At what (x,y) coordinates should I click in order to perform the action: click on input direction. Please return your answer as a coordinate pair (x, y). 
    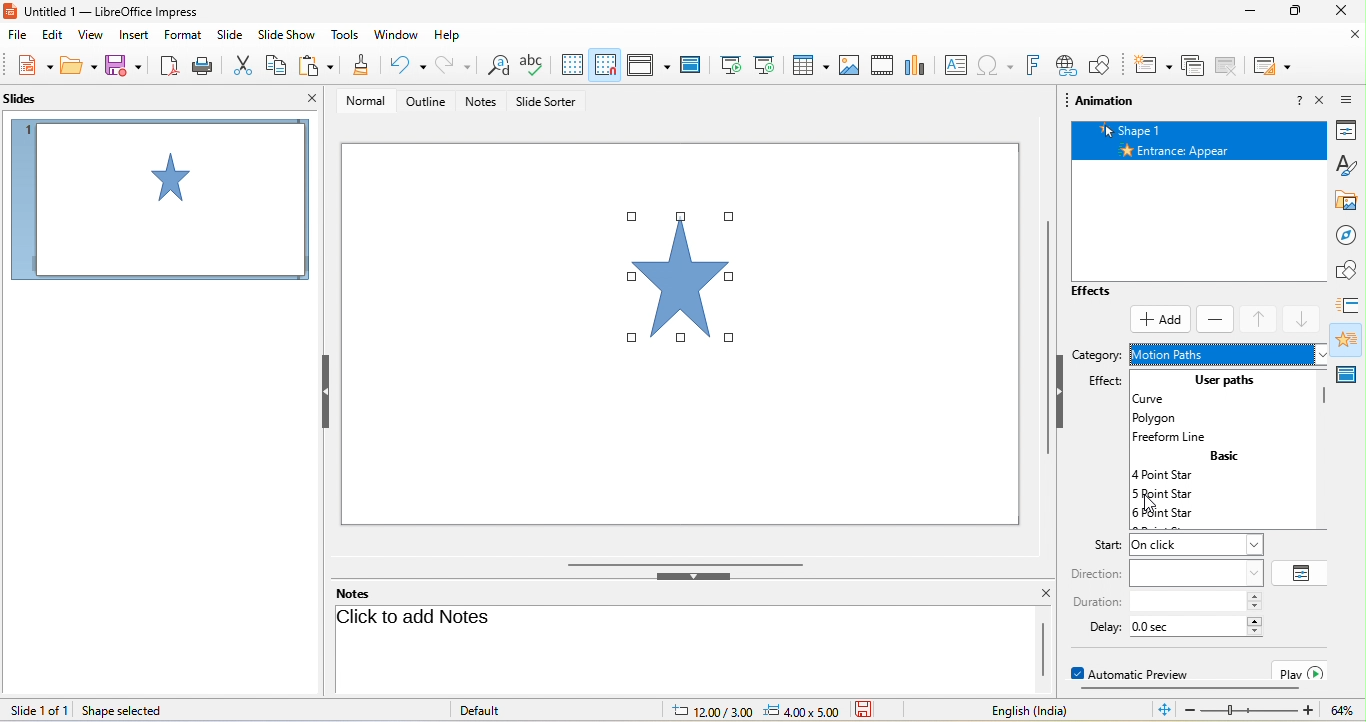
    Looking at the image, I should click on (1196, 572).